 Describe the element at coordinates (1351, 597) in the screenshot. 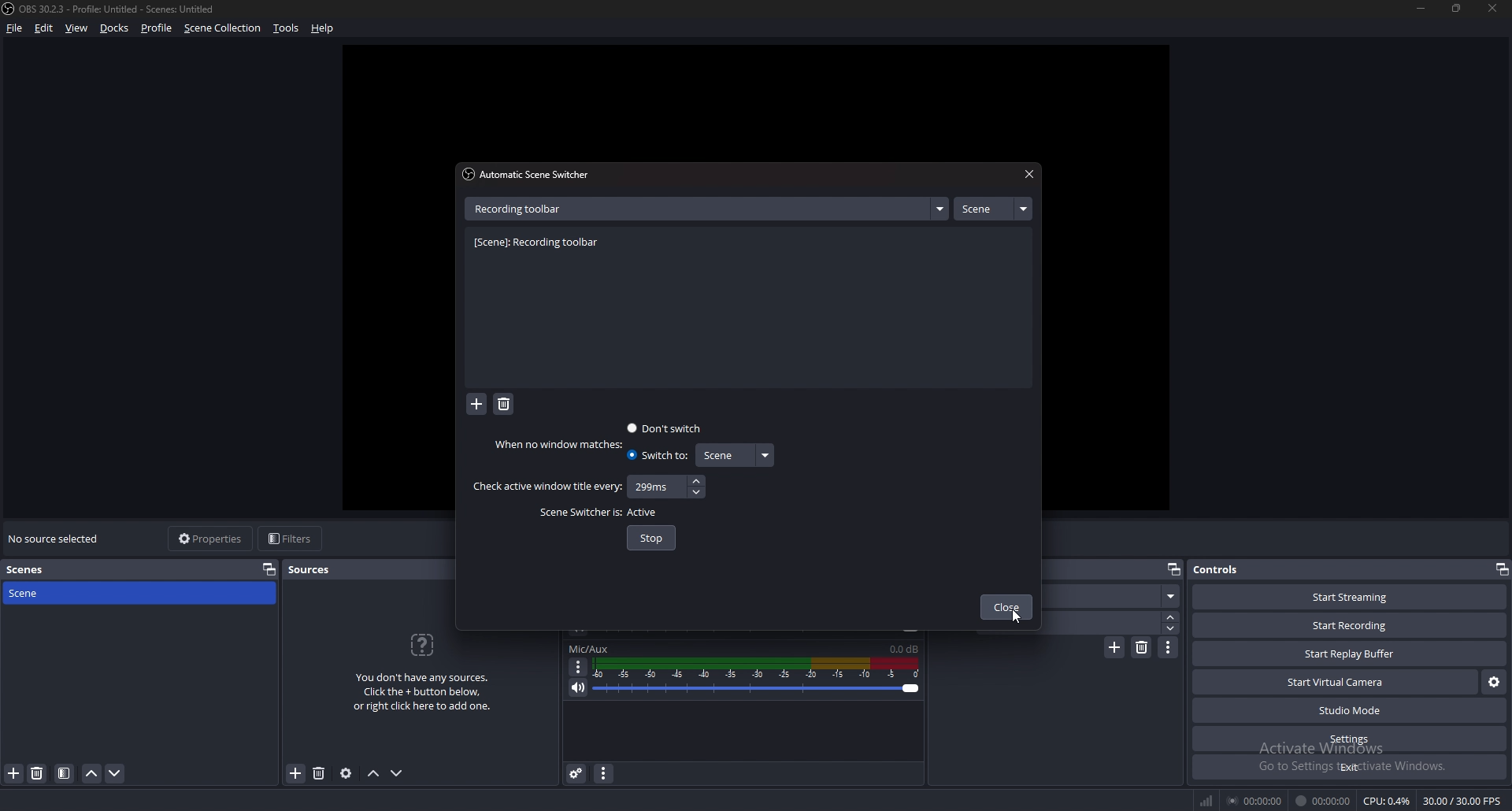

I see `start streaming` at that location.